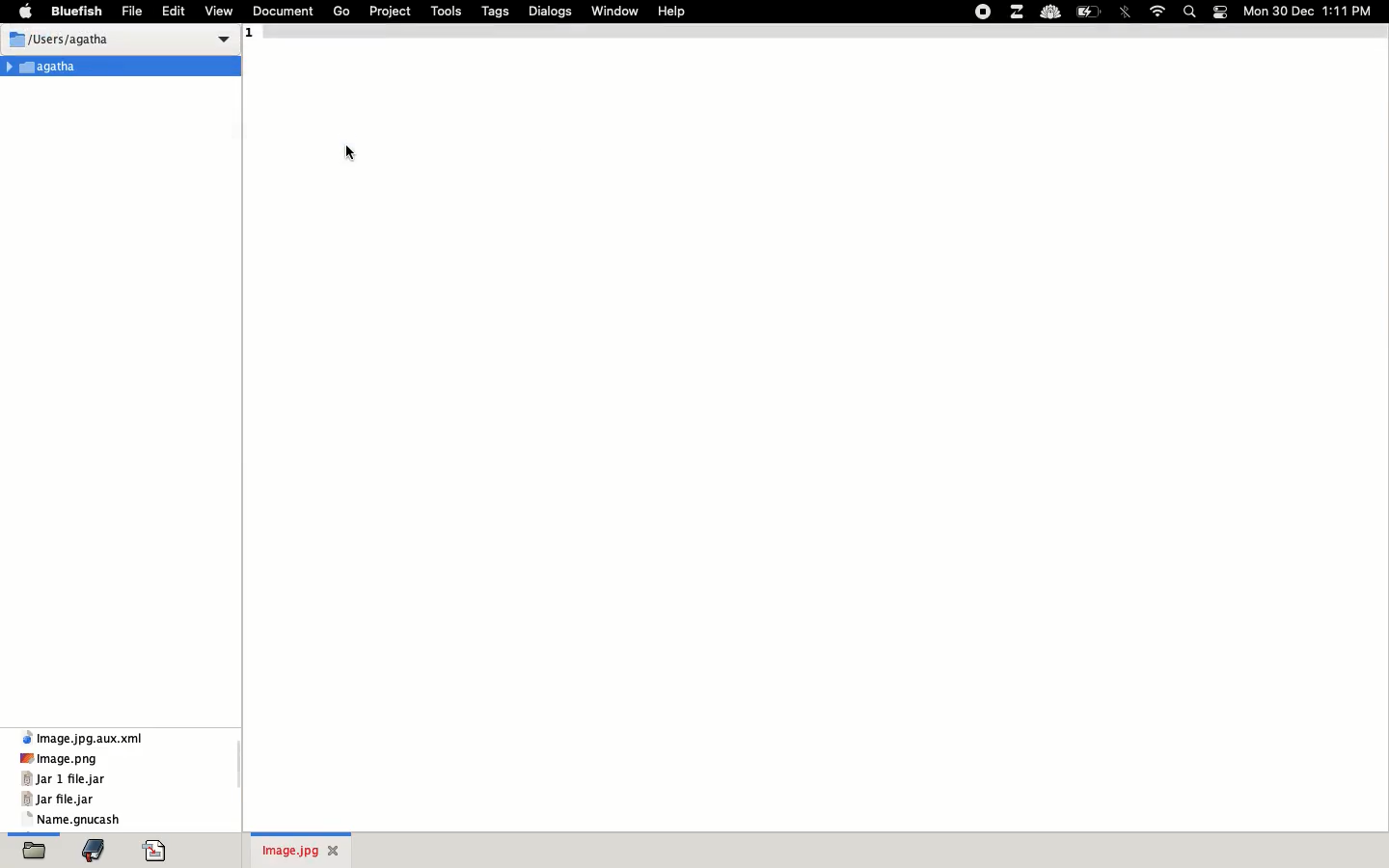 Image resolution: width=1389 pixels, height=868 pixels. What do you see at coordinates (390, 12) in the screenshot?
I see `project` at bounding box center [390, 12].